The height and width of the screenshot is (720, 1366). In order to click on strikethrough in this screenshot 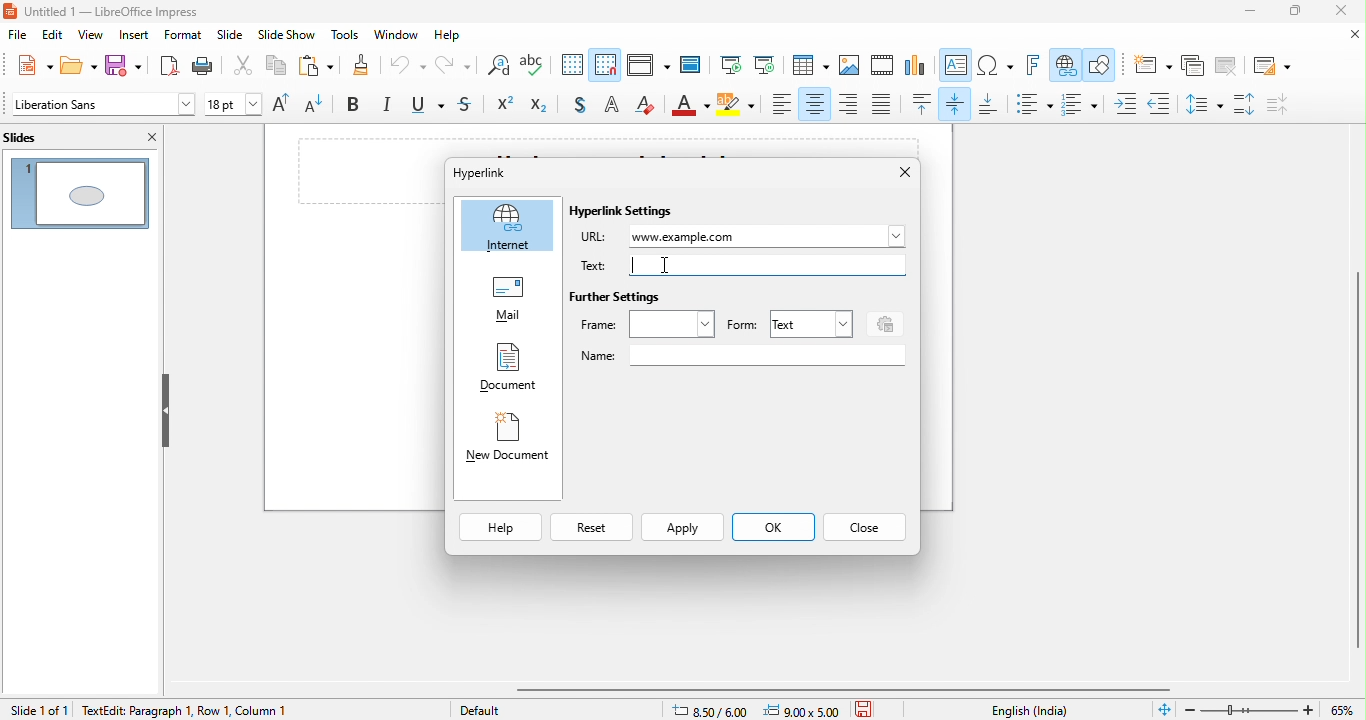, I will do `click(469, 106)`.